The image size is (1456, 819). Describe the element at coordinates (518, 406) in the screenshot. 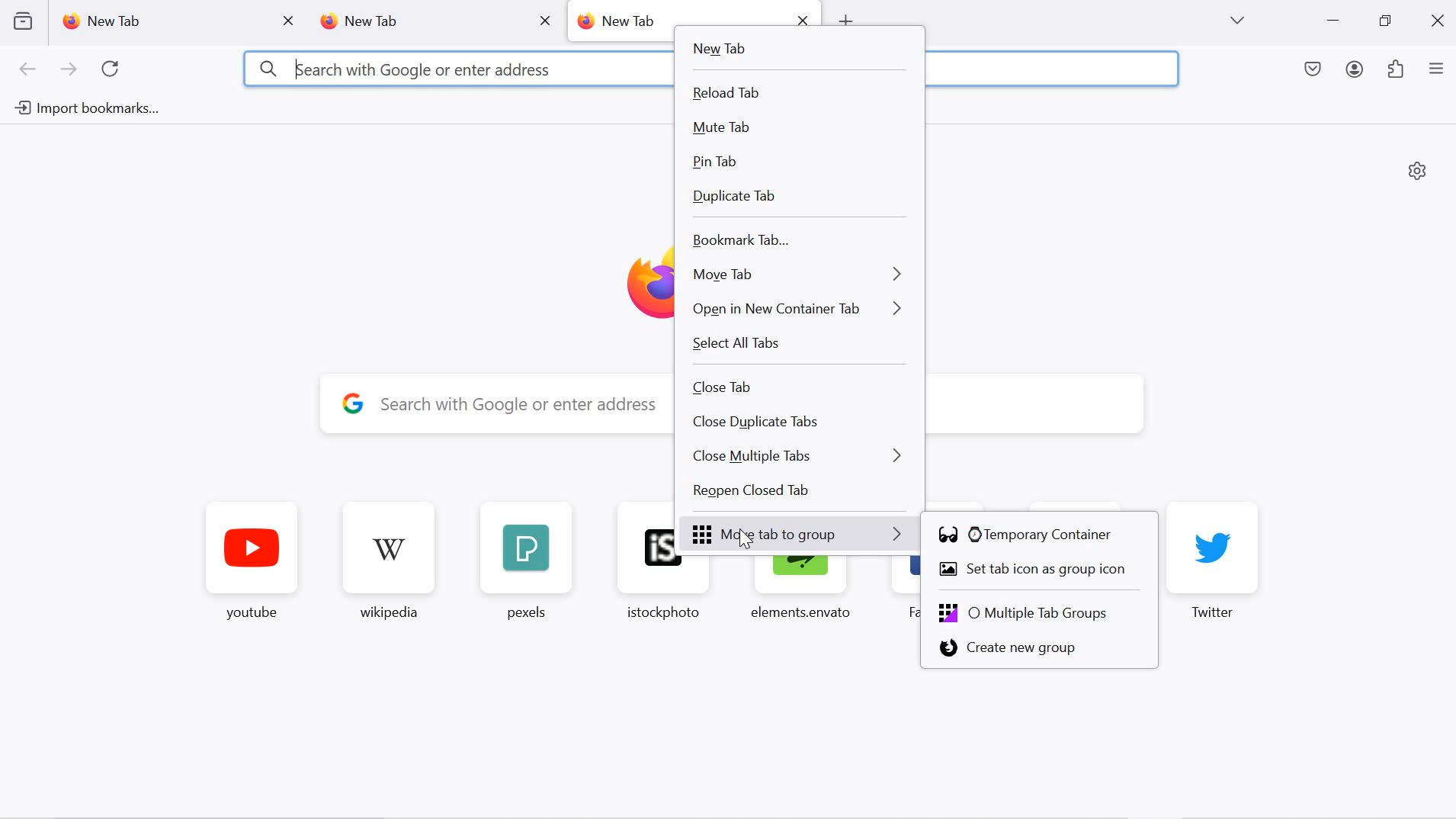

I see `y Search with Google or enter address` at that location.